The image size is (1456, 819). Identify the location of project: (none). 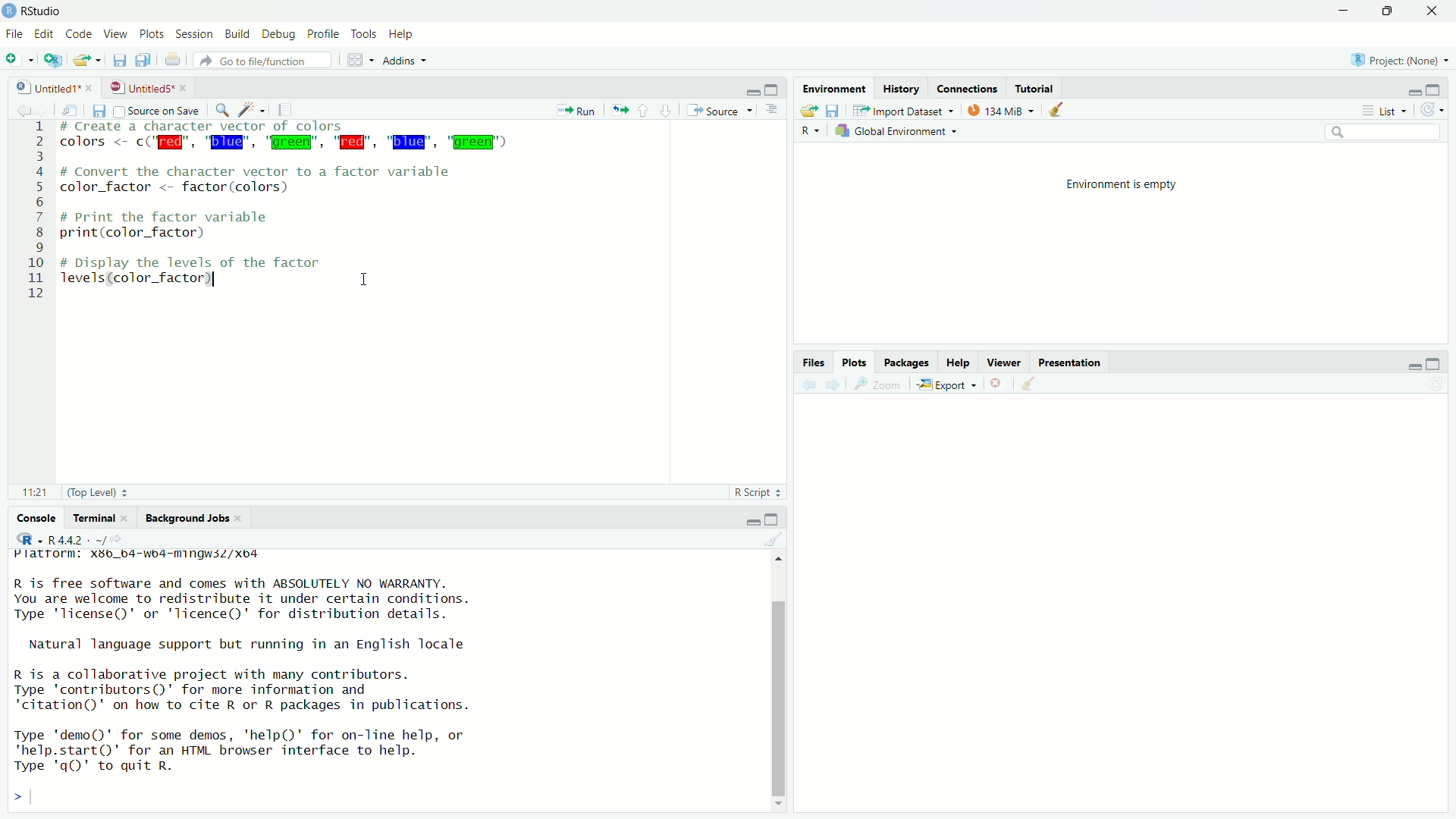
(1403, 61).